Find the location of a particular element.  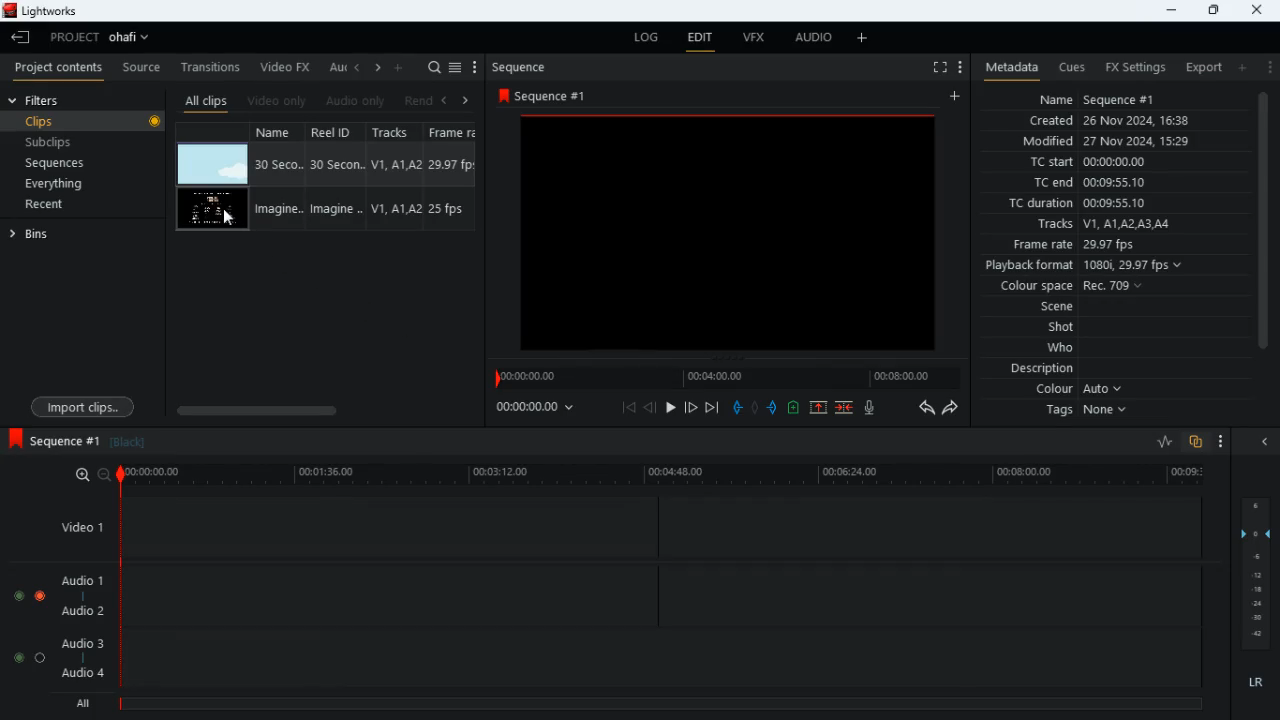

audio 2 is located at coordinates (78, 613).